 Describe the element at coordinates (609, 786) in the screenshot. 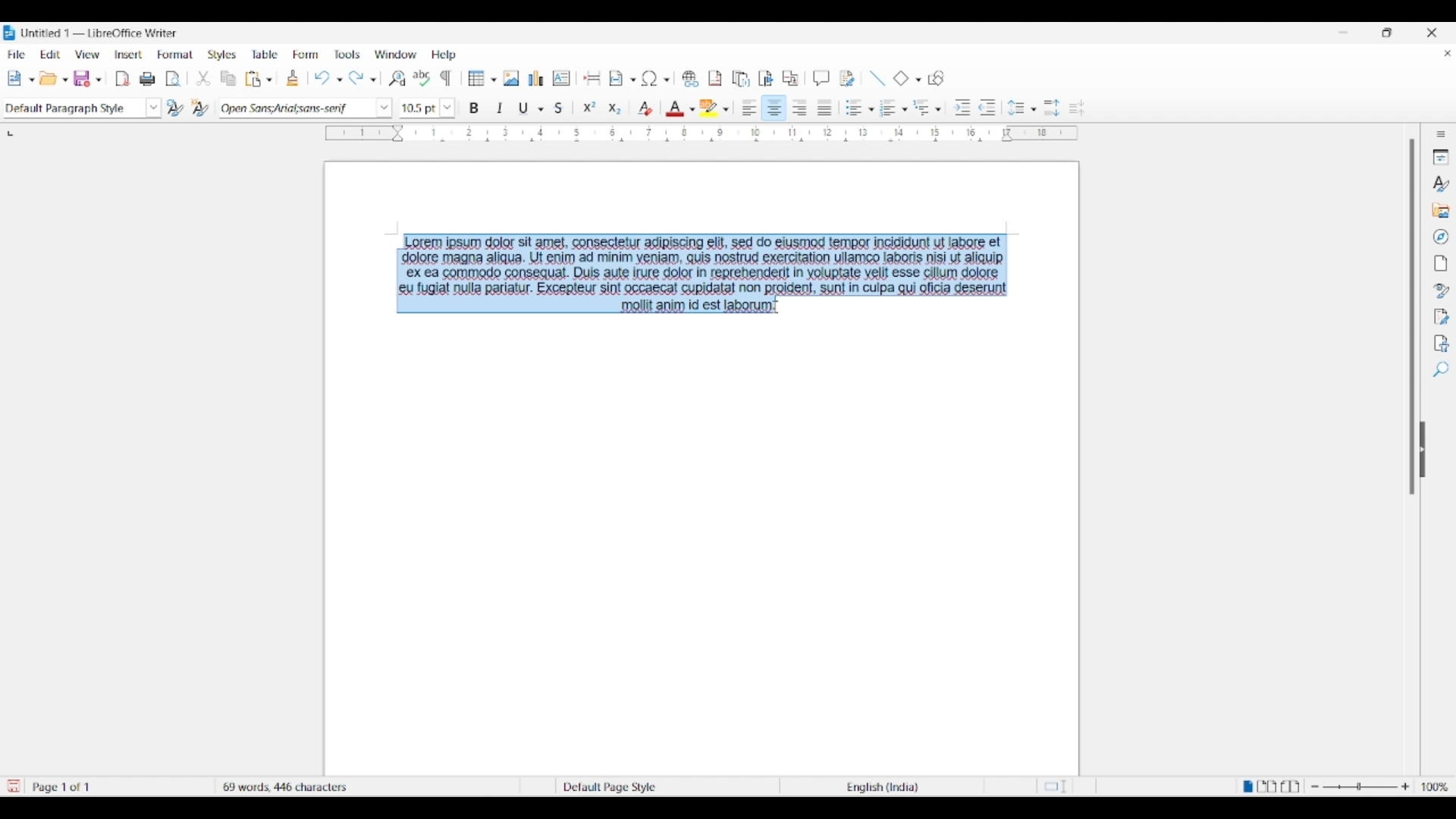

I see `Default Page Style` at that location.